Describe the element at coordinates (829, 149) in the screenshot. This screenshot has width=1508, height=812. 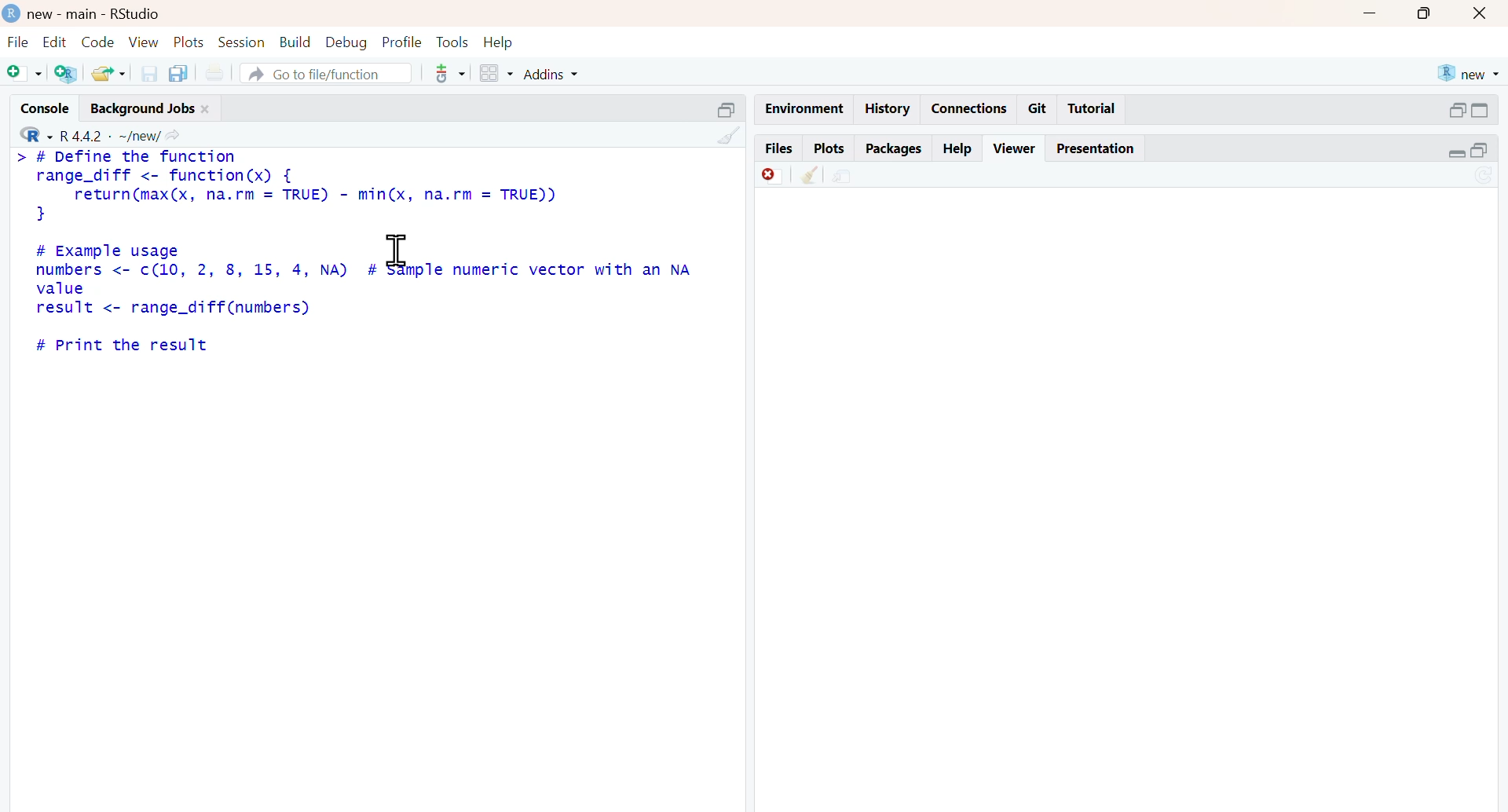
I see `plots` at that location.